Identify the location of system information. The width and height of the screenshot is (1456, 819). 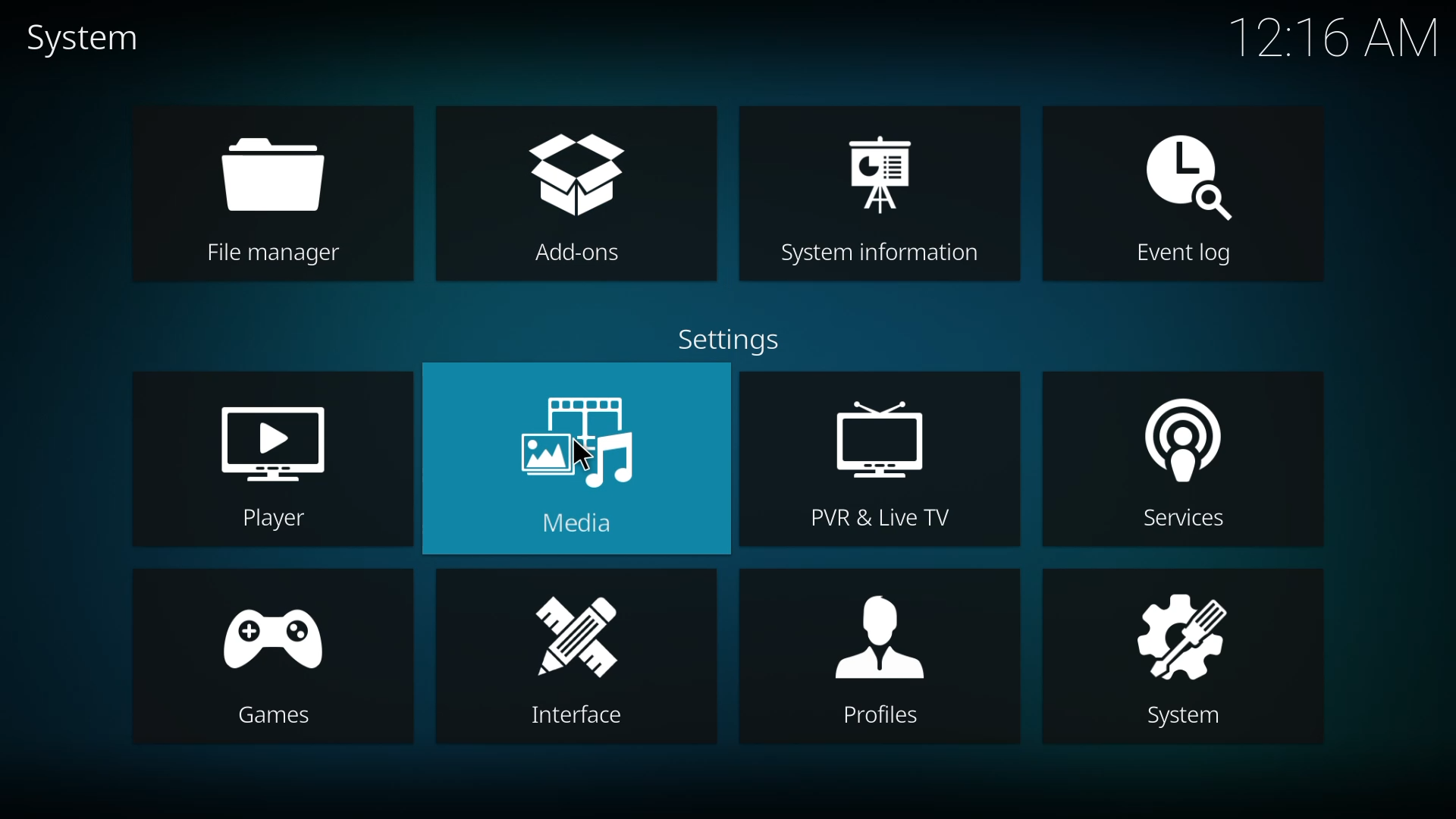
(878, 173).